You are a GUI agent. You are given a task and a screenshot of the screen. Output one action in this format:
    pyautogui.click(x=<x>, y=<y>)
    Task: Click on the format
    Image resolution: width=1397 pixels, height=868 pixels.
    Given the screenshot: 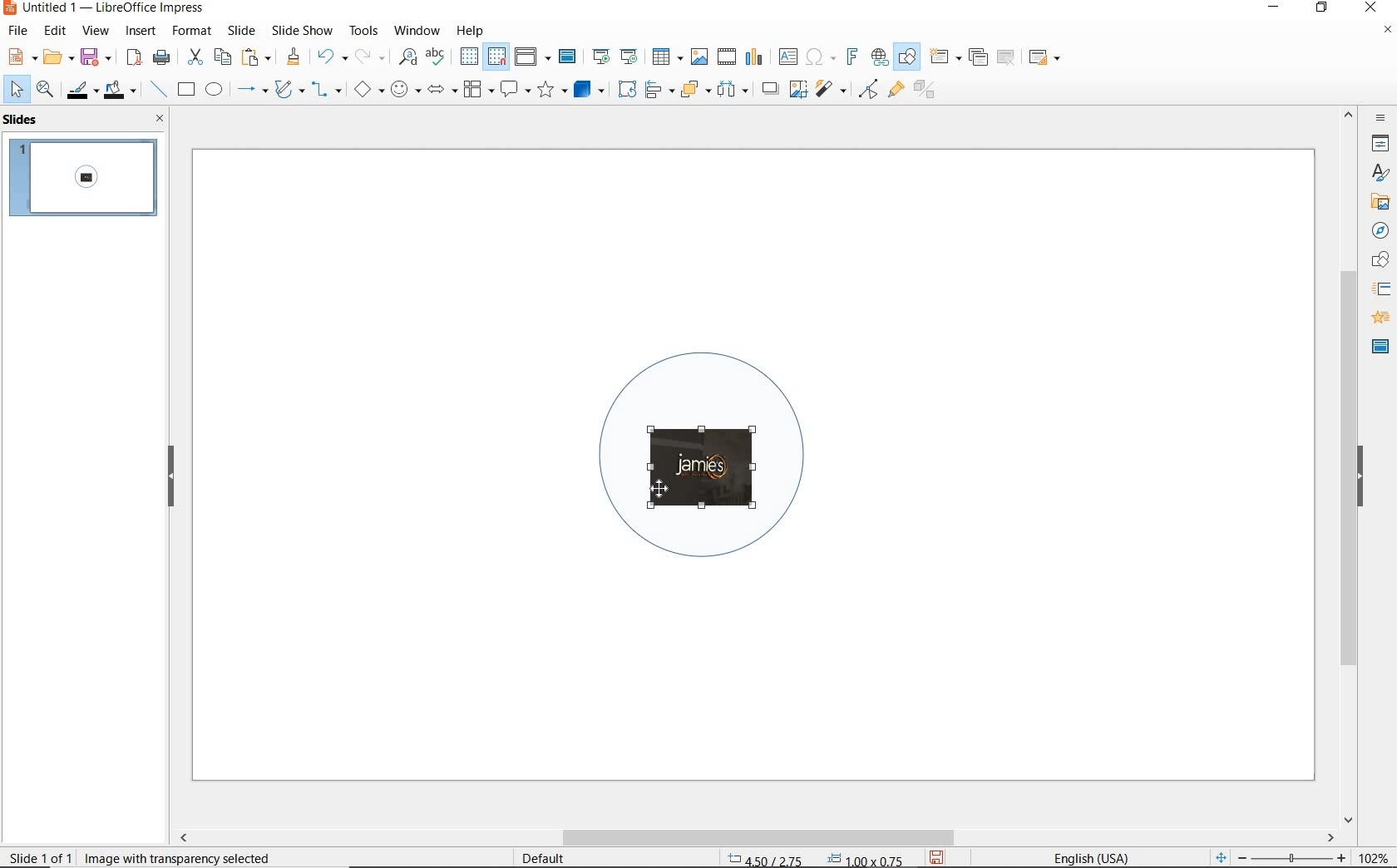 What is the action you would take?
    pyautogui.click(x=190, y=30)
    